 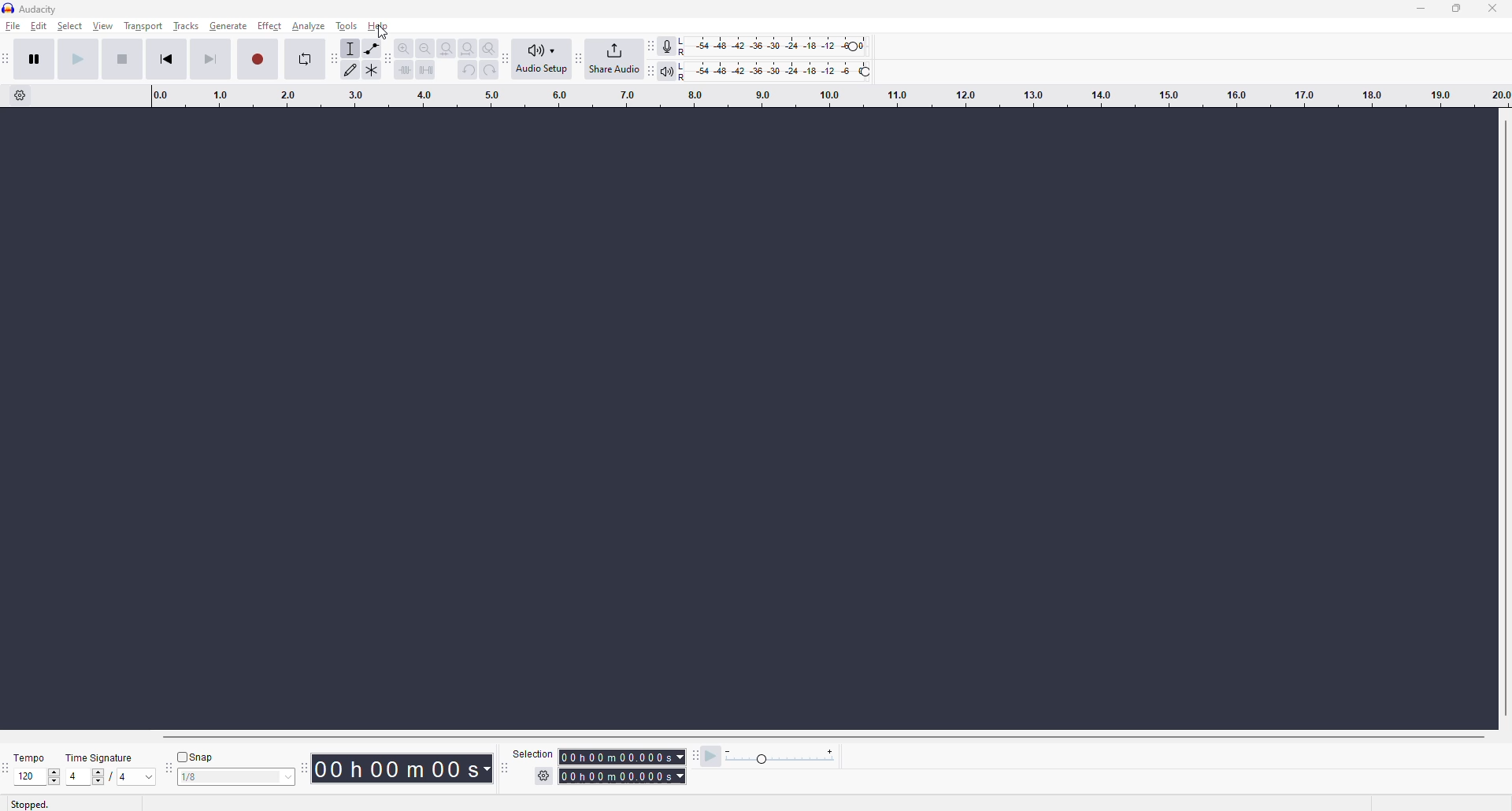 I want to click on record meter, so click(x=668, y=46).